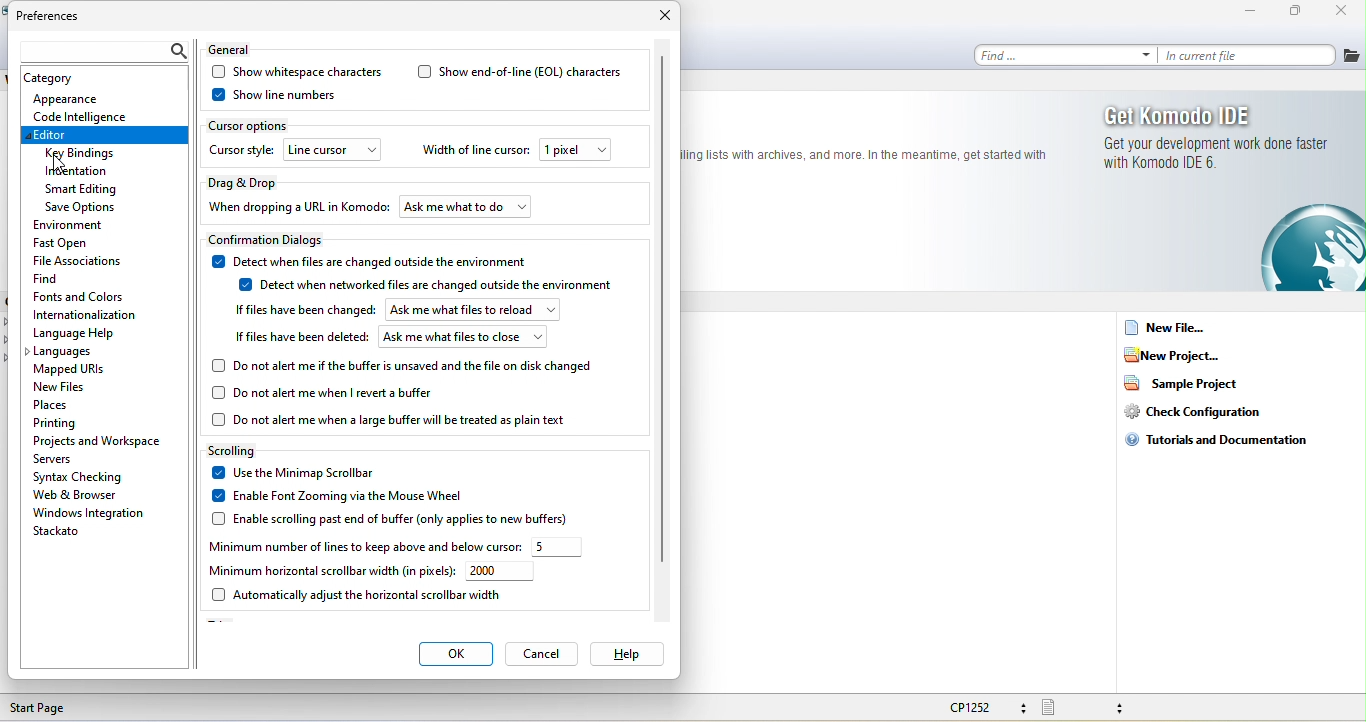  What do you see at coordinates (94, 333) in the screenshot?
I see `language help` at bounding box center [94, 333].